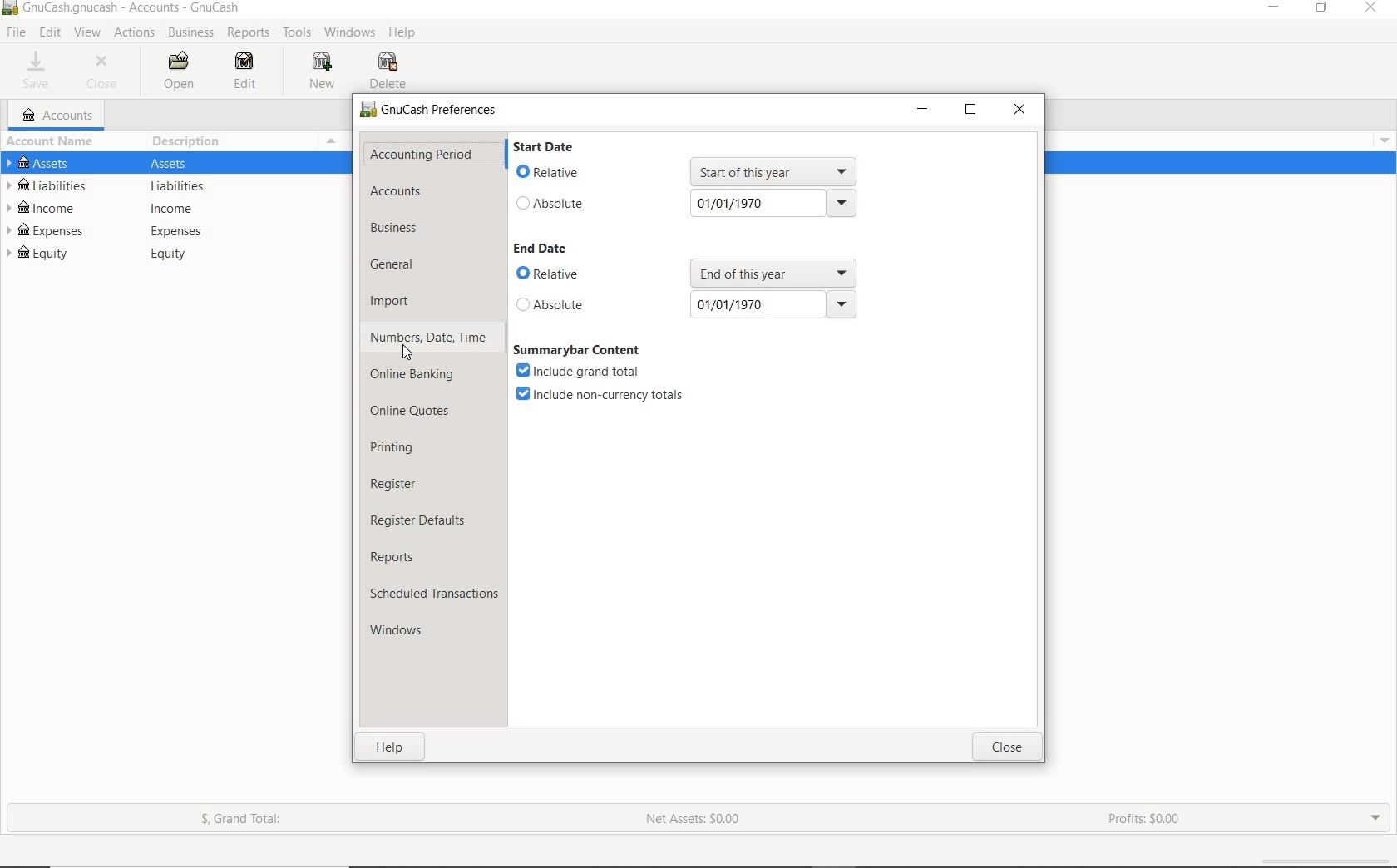  What do you see at coordinates (428, 337) in the screenshot?
I see `numbers, date, time` at bounding box center [428, 337].